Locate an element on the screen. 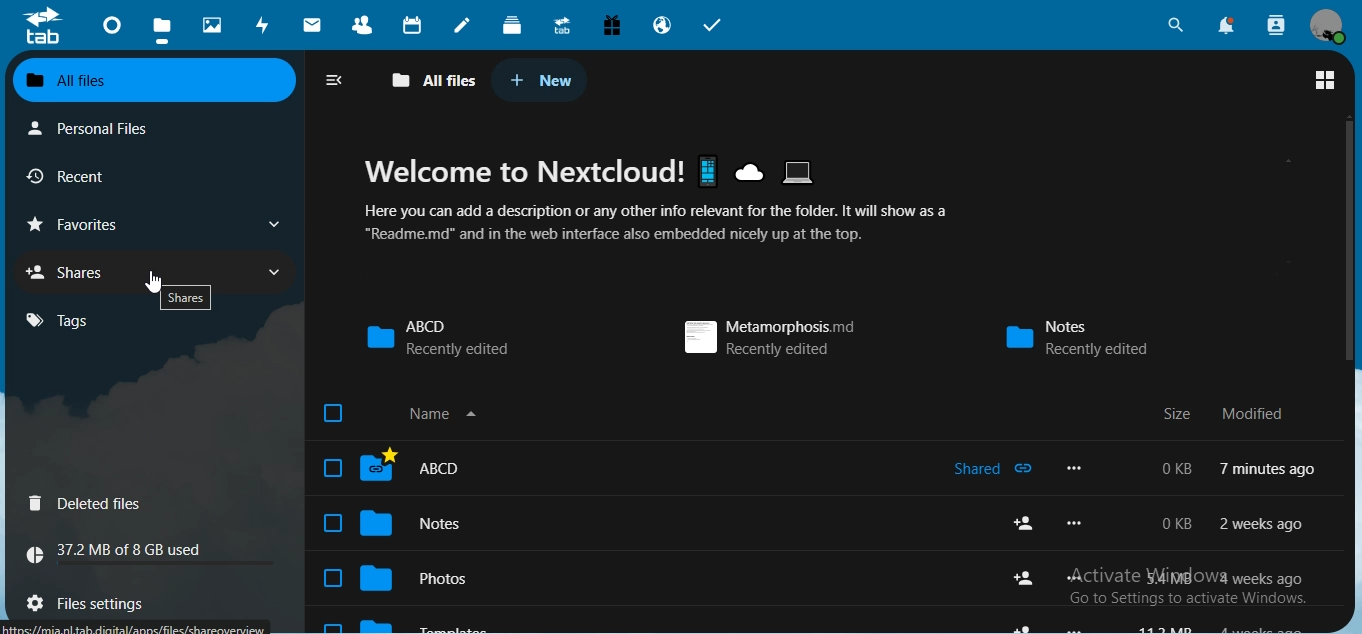  mail is located at coordinates (312, 24).